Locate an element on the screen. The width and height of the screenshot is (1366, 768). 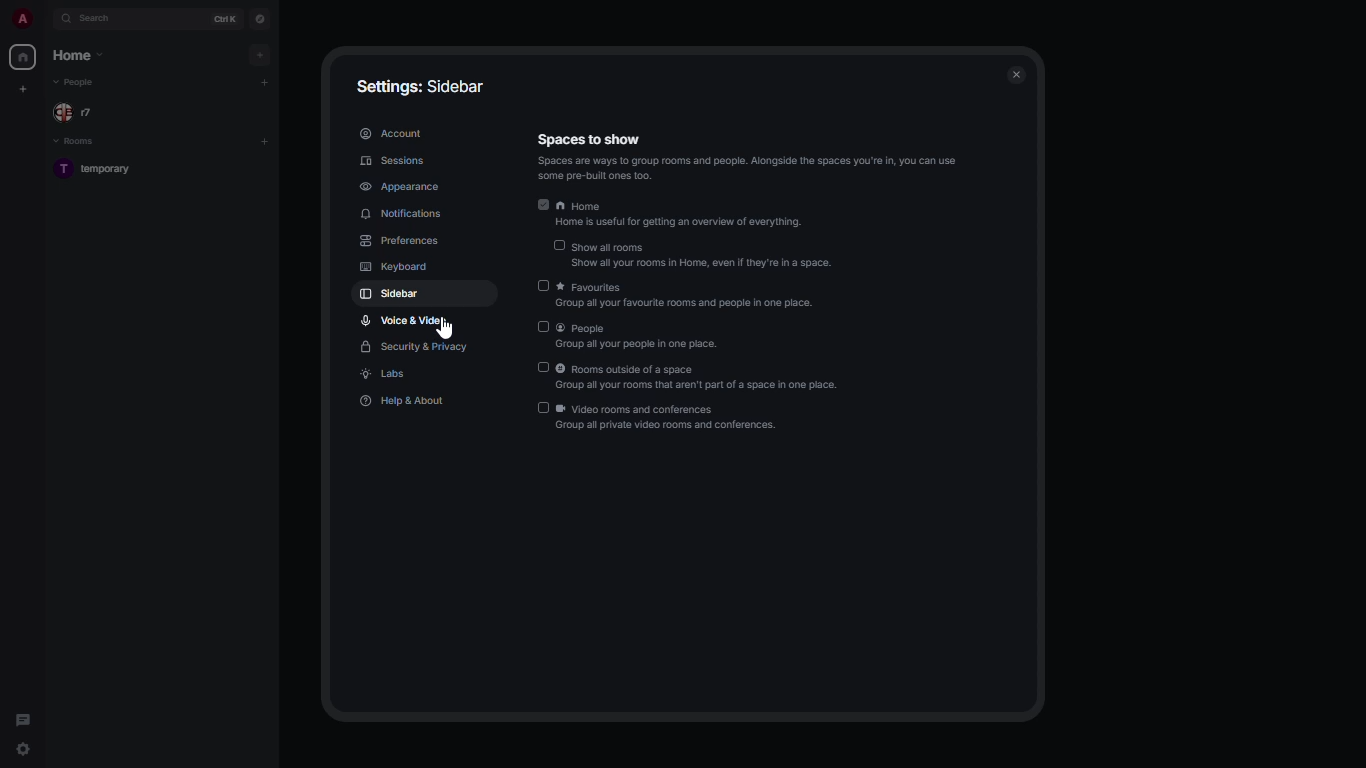
disabled is located at coordinates (542, 407).